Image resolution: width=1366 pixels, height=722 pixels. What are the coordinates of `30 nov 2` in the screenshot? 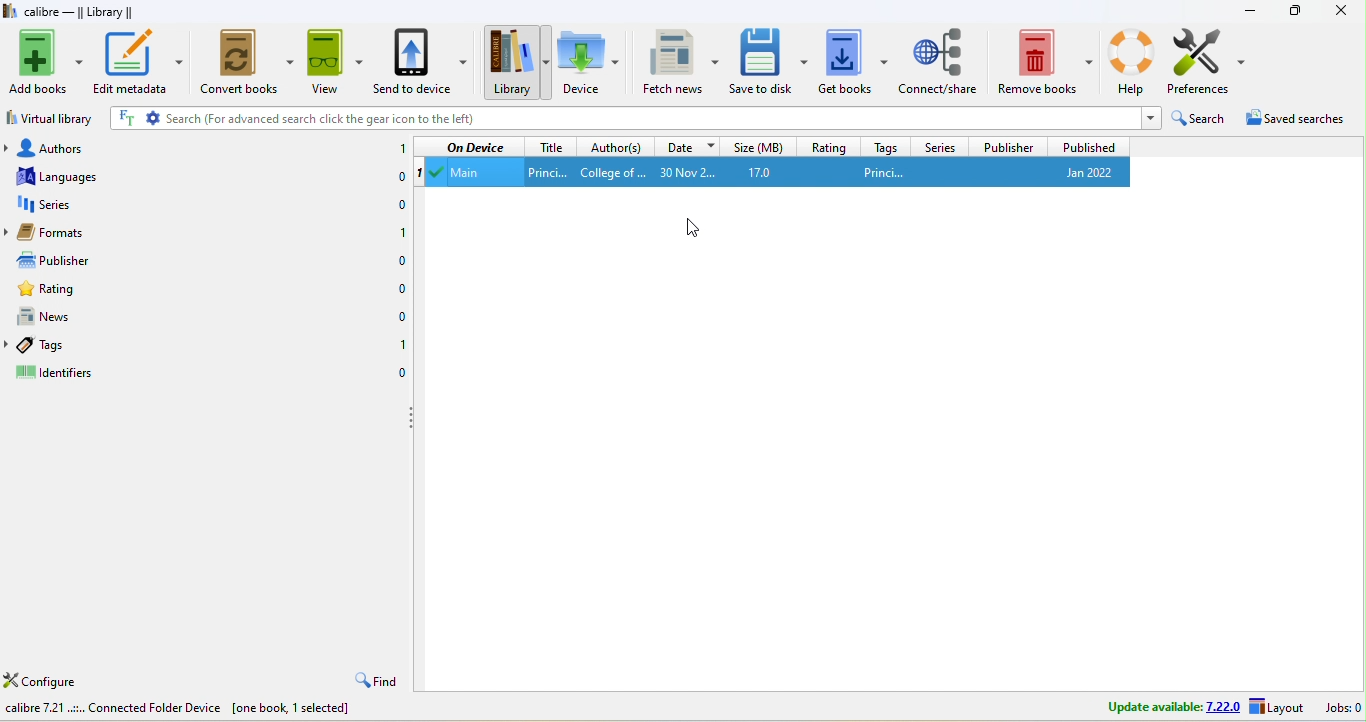 It's located at (694, 172).